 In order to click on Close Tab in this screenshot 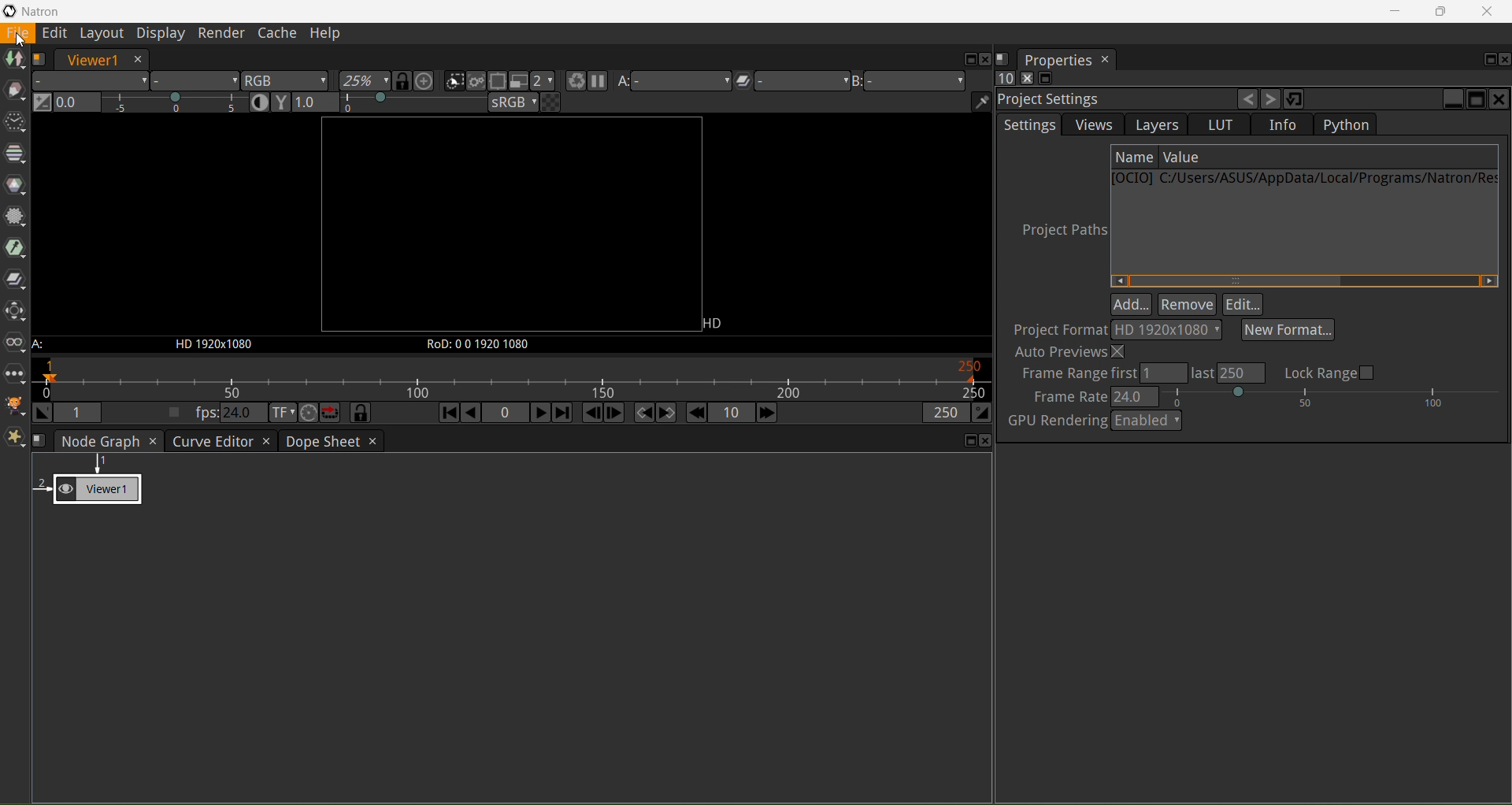, I will do `click(372, 440)`.